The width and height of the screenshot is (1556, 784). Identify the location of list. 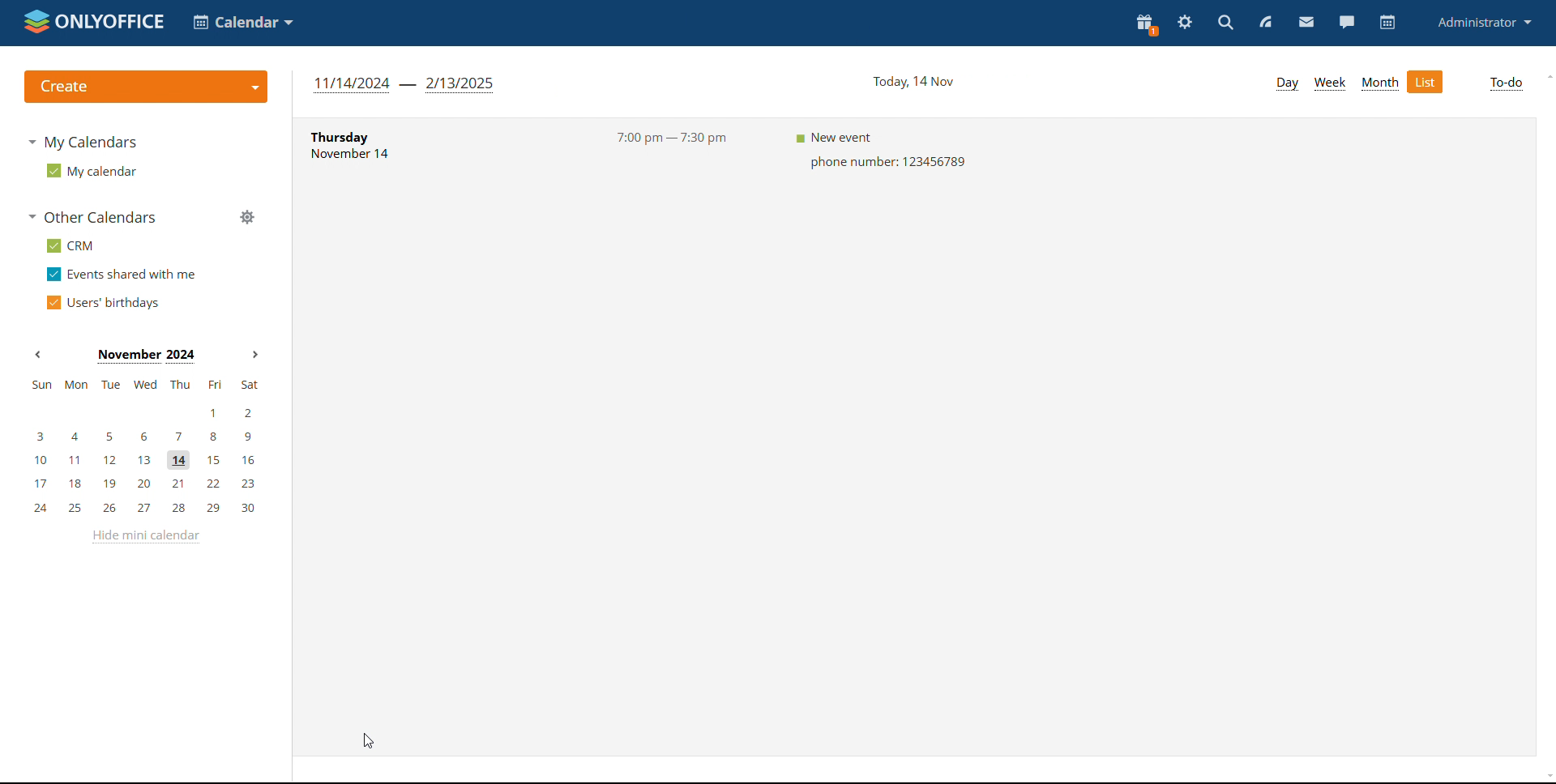
(1430, 81).